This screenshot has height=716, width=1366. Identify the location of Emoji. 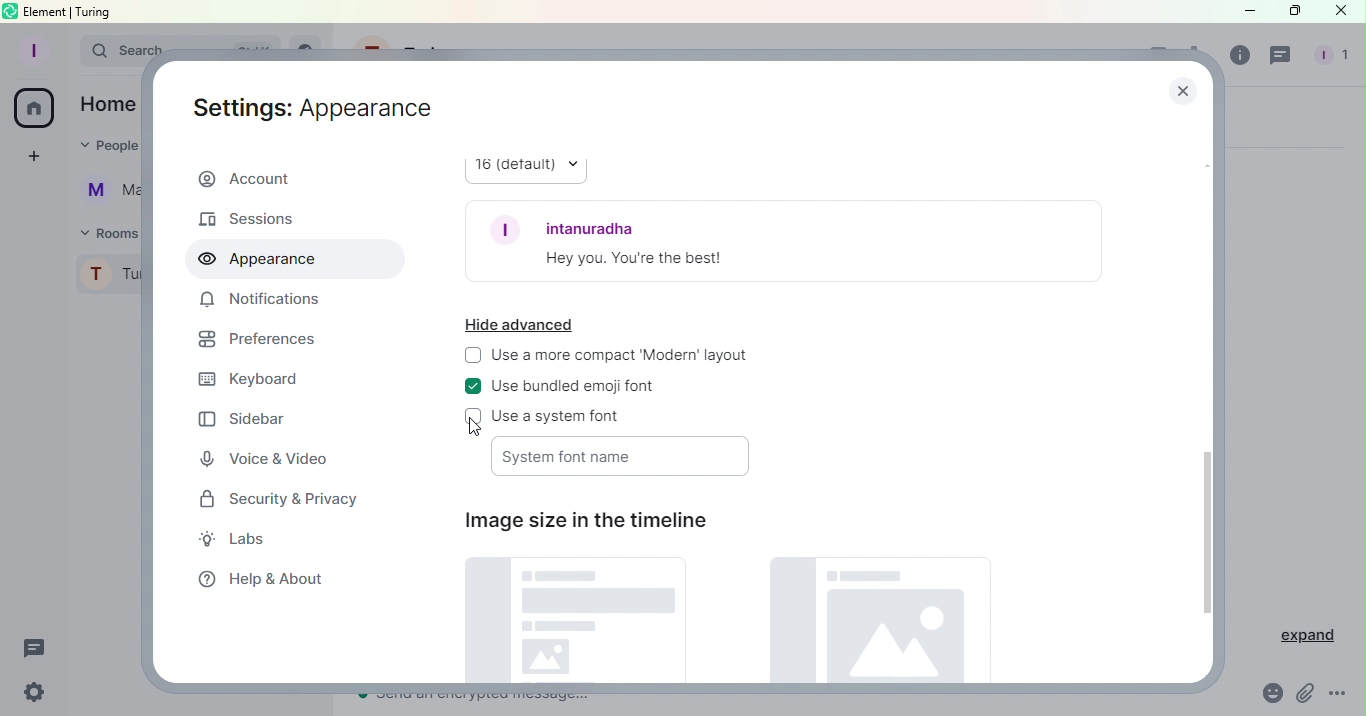
(1267, 693).